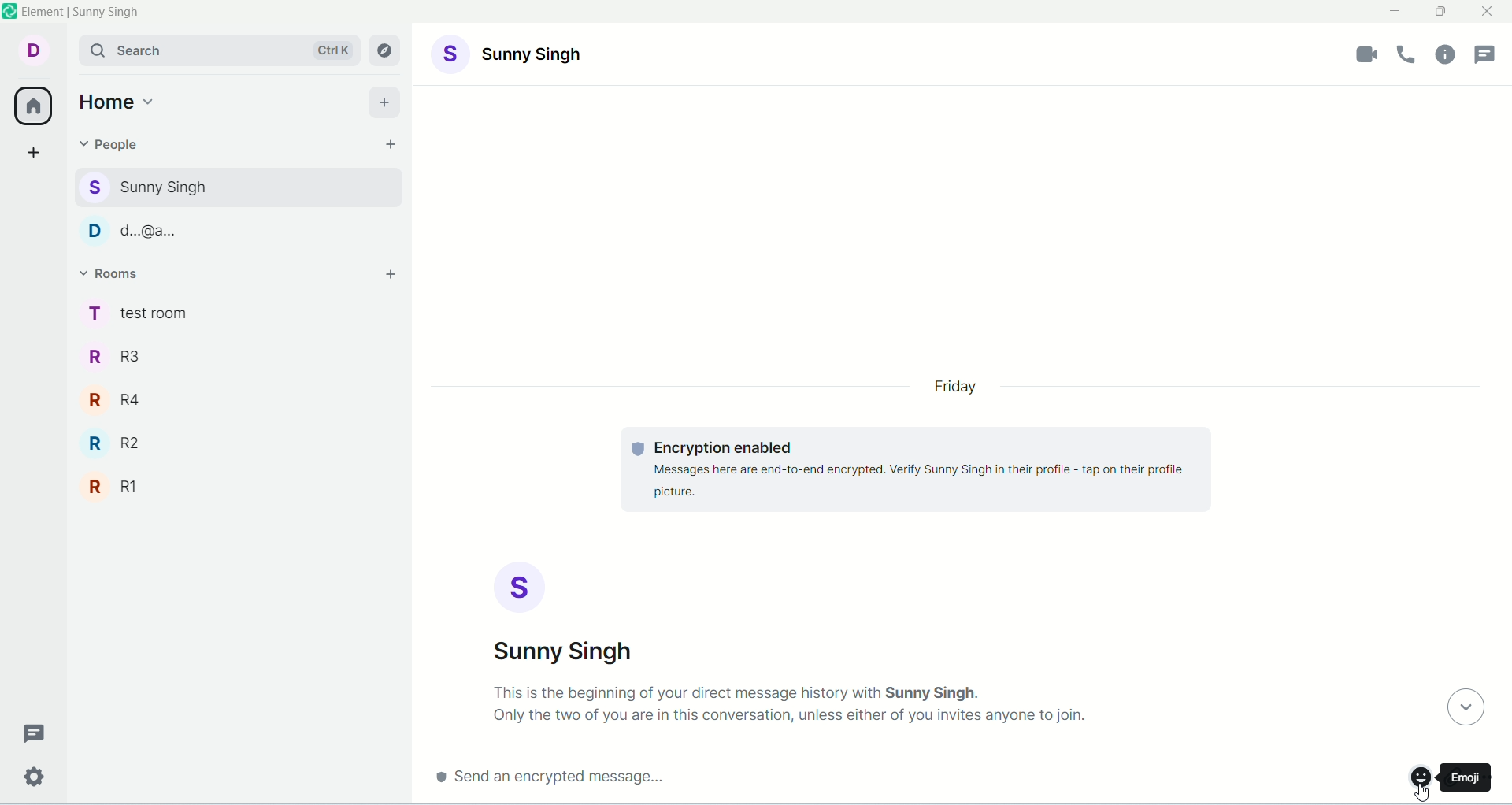  I want to click on R4, so click(239, 394).